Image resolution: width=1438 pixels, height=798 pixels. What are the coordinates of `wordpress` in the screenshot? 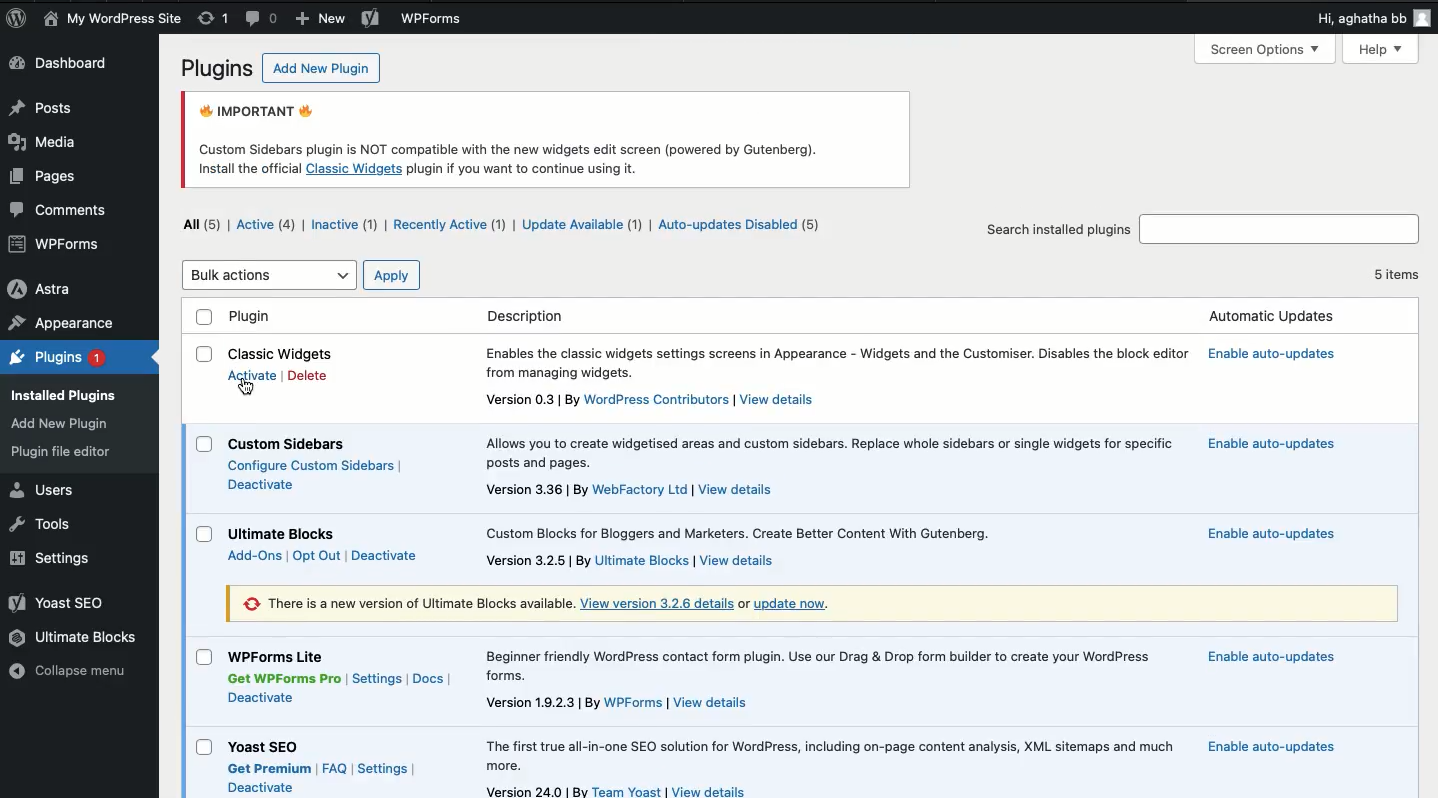 It's located at (657, 399).